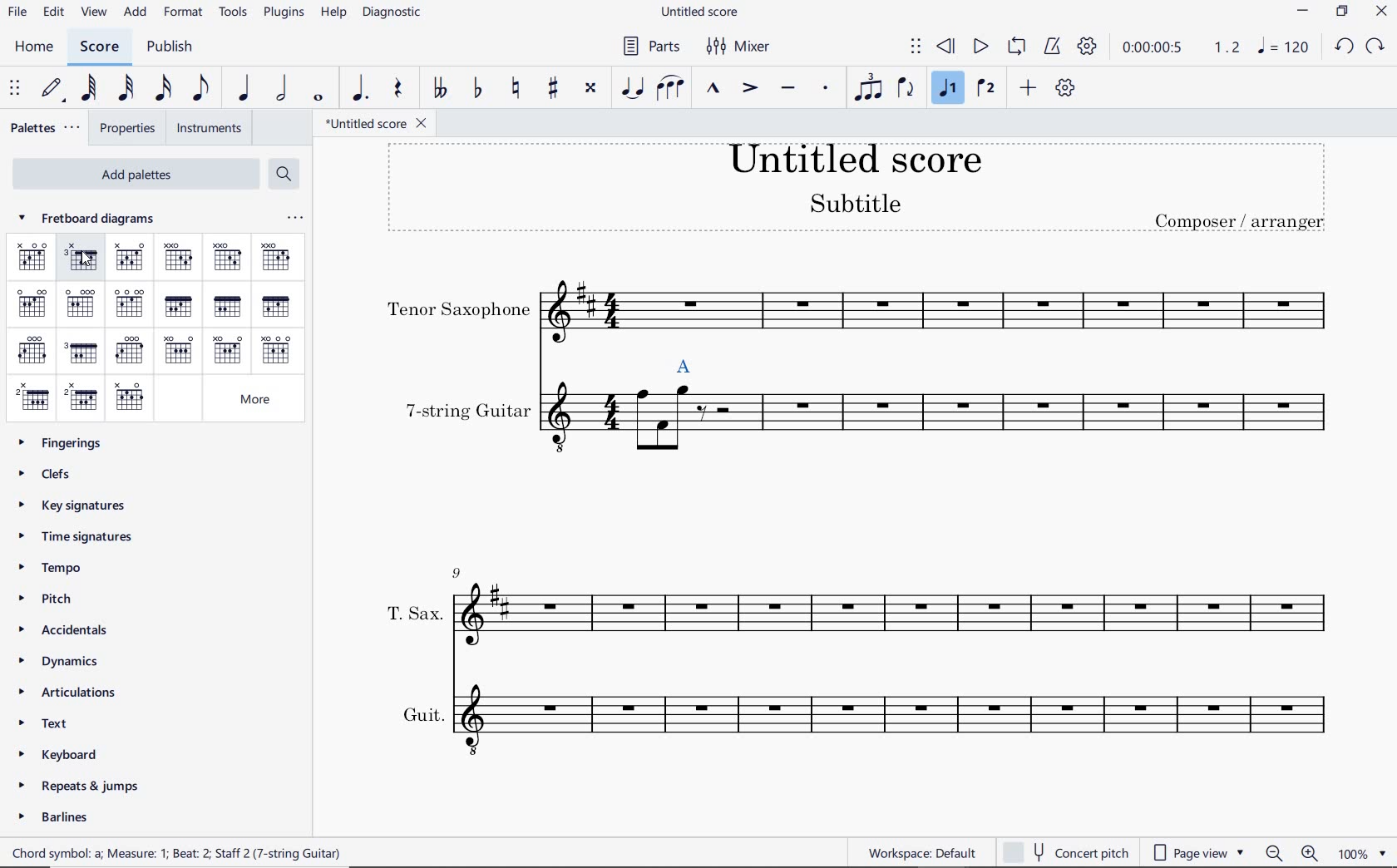 The width and height of the screenshot is (1397, 868). What do you see at coordinates (129, 259) in the screenshot?
I see `C7` at bounding box center [129, 259].